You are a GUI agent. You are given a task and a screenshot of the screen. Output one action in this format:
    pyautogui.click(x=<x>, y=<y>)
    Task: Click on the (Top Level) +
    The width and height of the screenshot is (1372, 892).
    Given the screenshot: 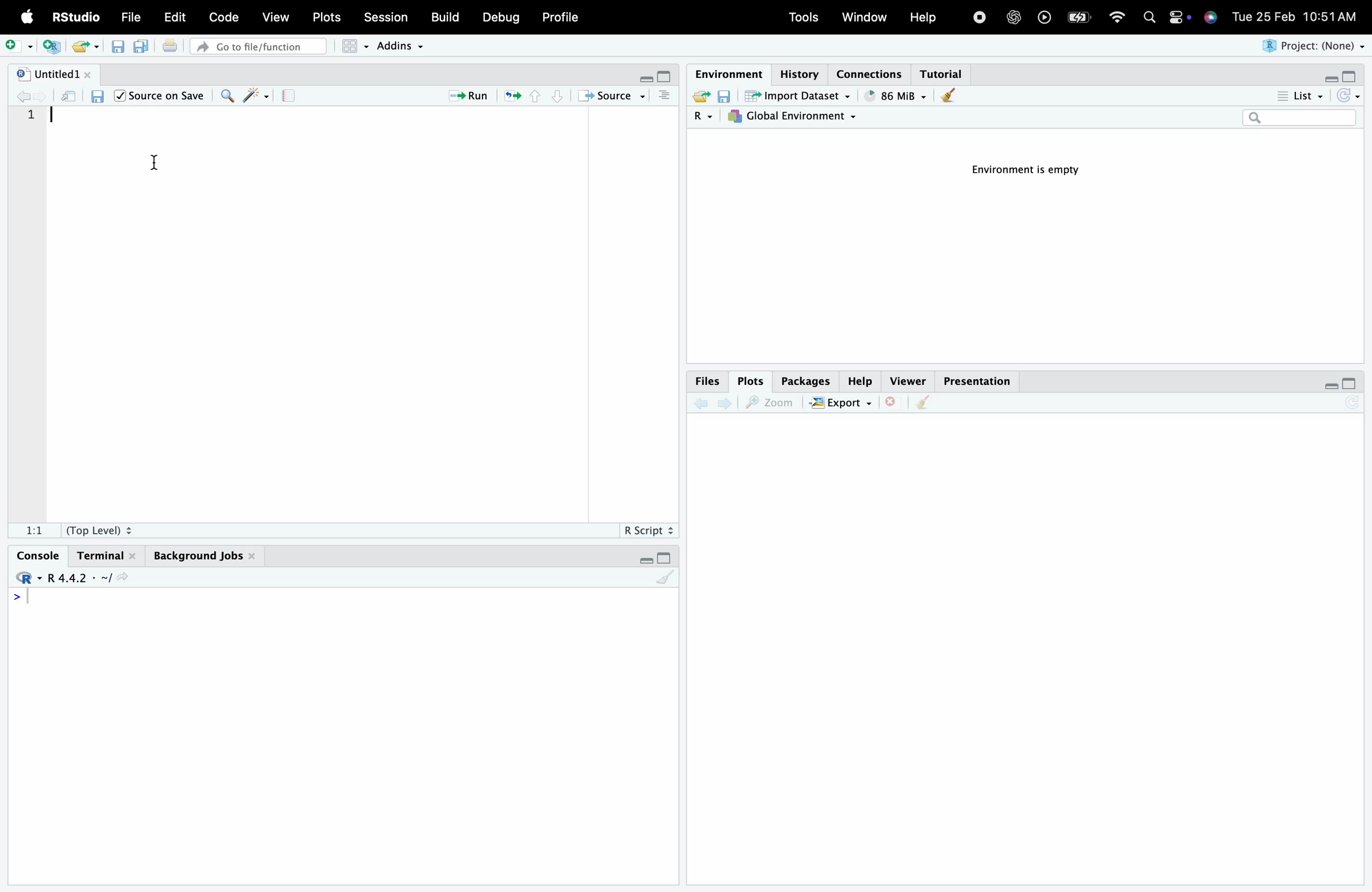 What is the action you would take?
    pyautogui.click(x=99, y=530)
    